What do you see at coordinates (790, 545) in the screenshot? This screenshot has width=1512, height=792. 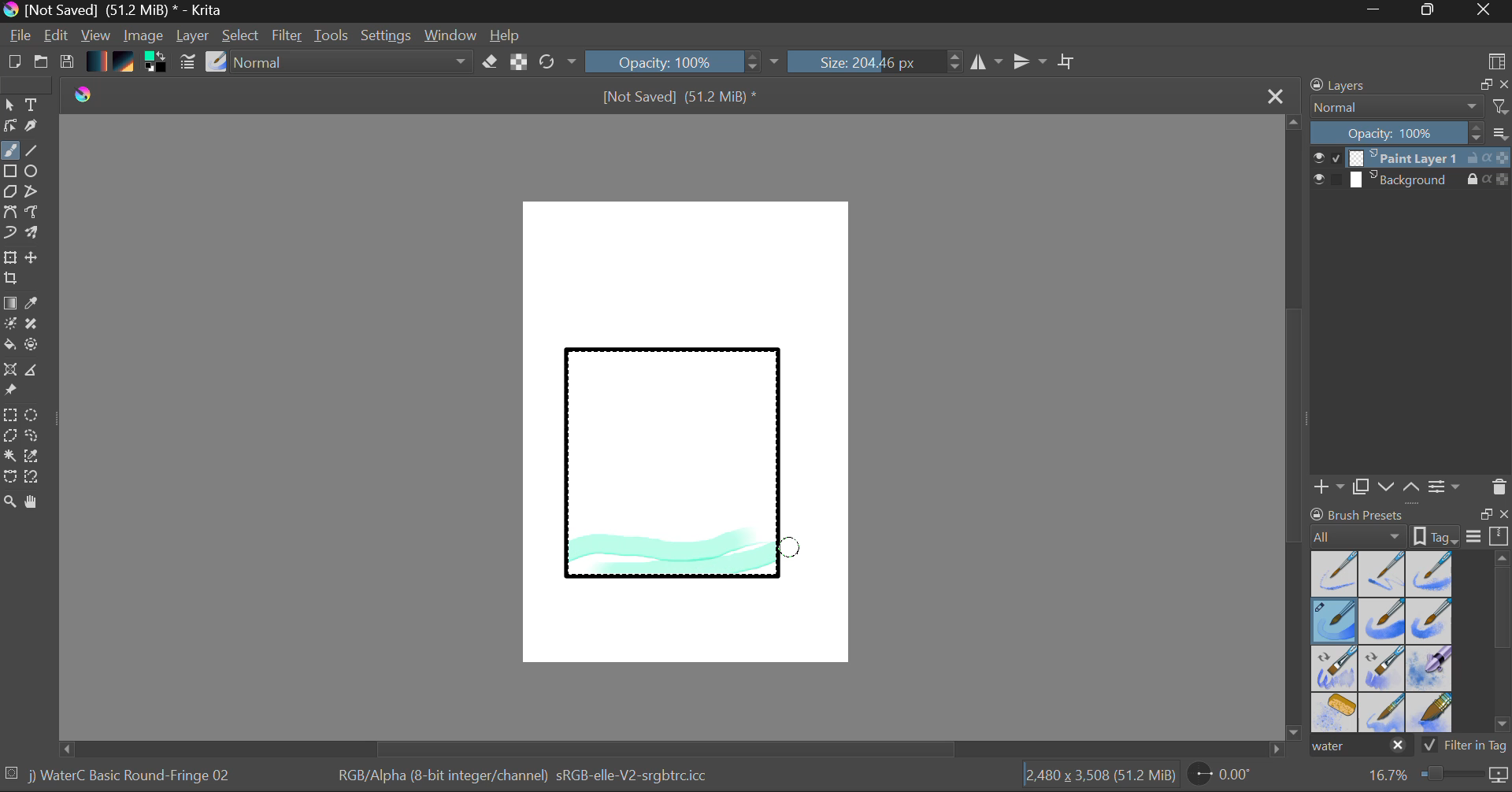 I see `MOUSE_UP Cursor Storke 2` at bounding box center [790, 545].